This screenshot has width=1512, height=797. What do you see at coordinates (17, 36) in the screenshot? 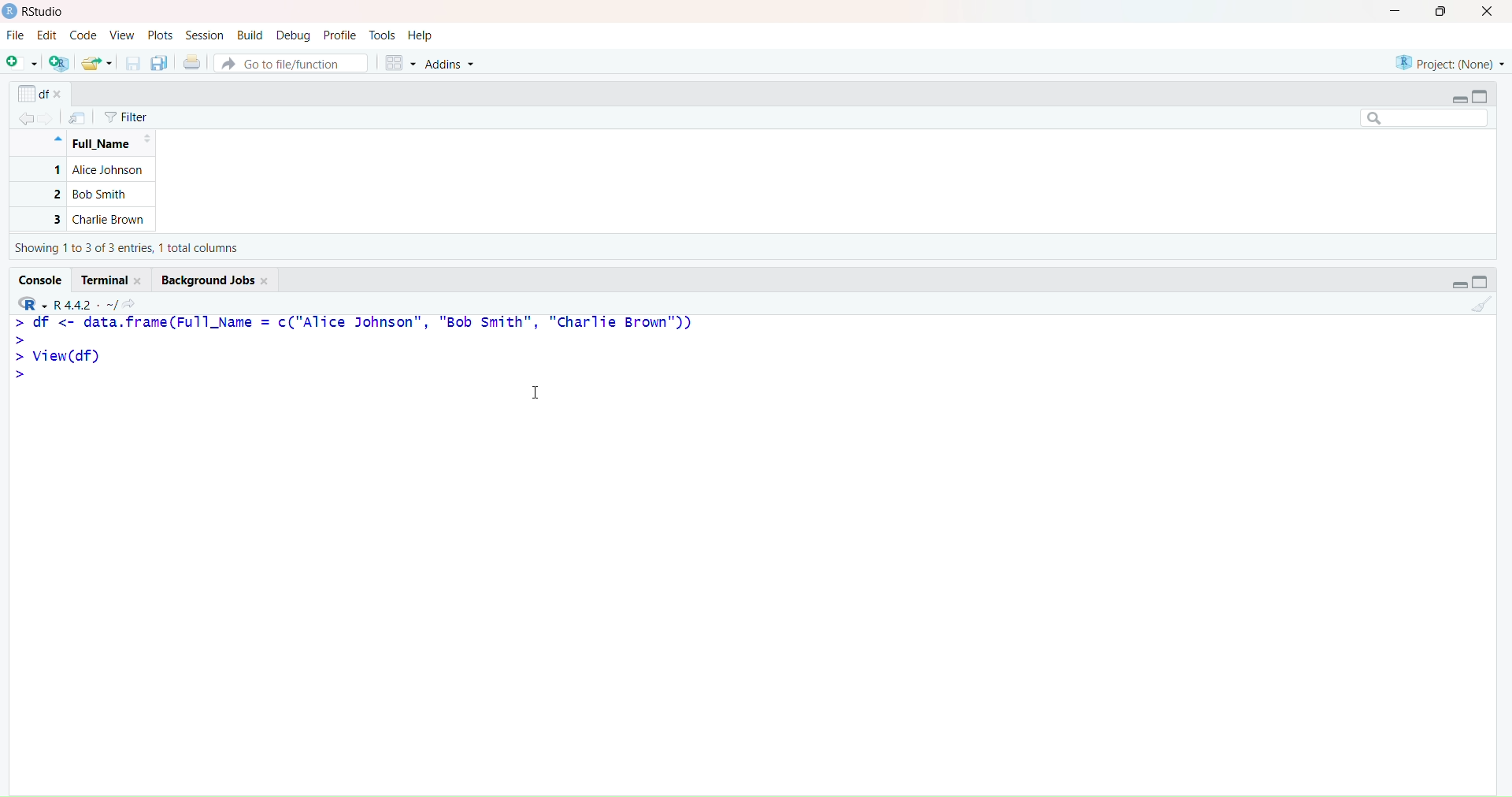
I see `File` at bounding box center [17, 36].